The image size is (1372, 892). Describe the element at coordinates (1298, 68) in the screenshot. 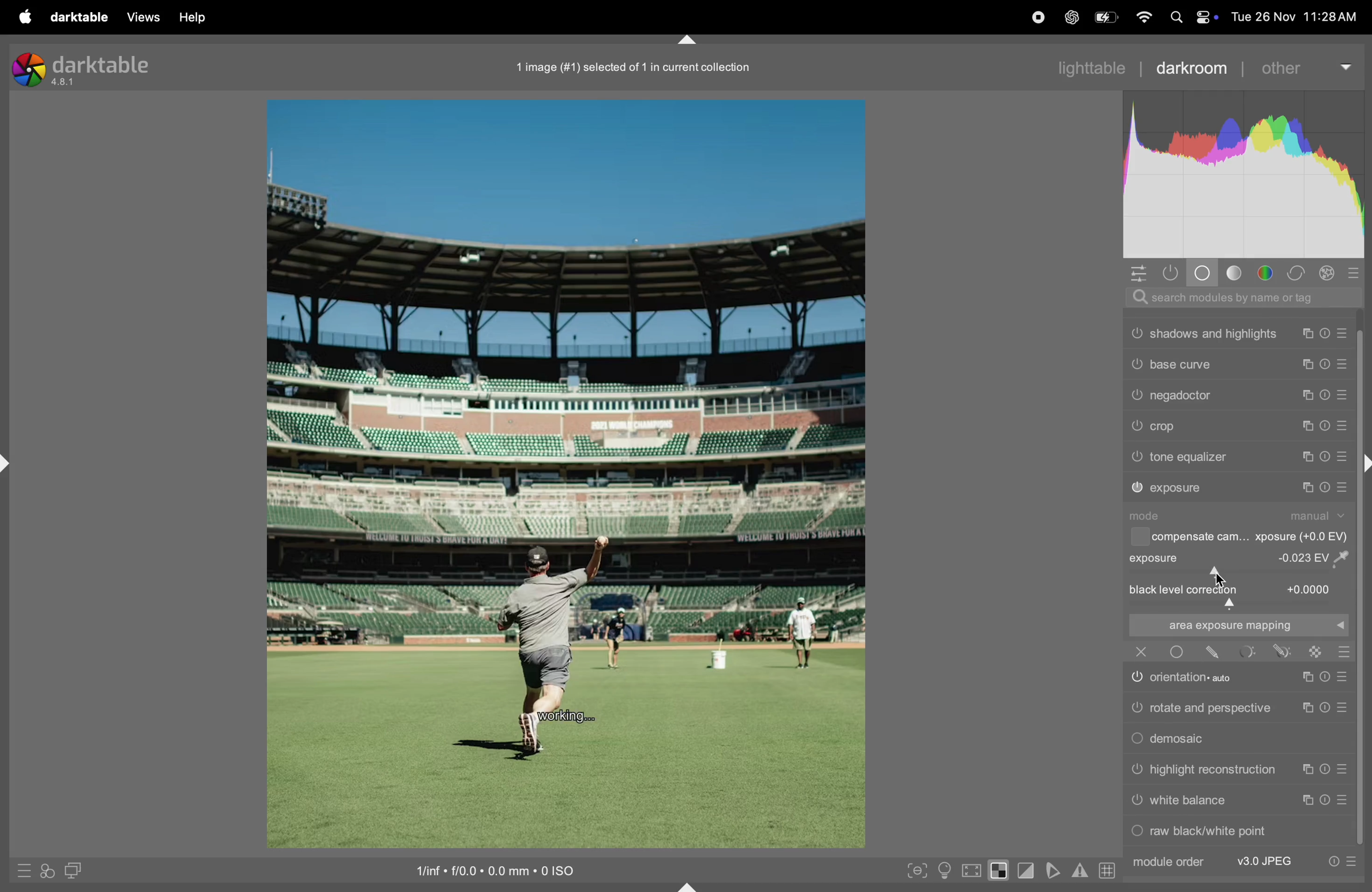

I see `other` at that location.